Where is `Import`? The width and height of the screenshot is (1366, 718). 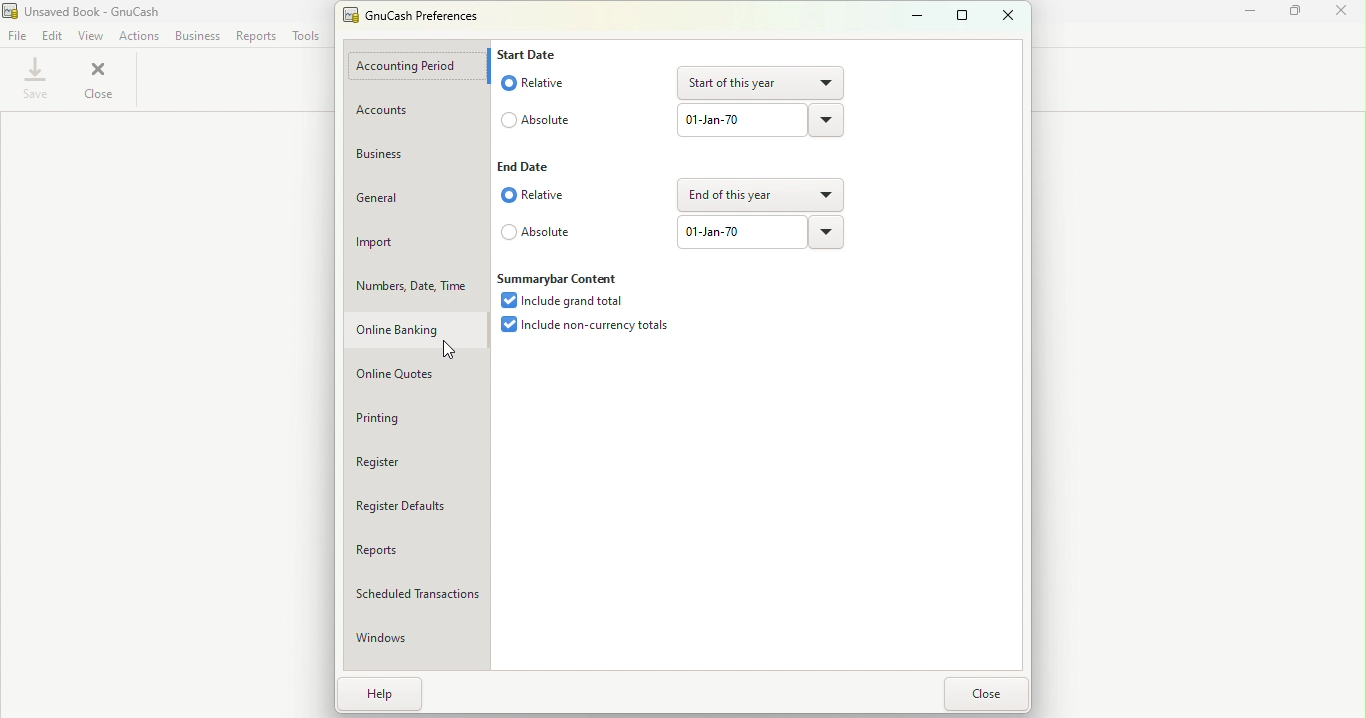
Import is located at coordinates (414, 246).